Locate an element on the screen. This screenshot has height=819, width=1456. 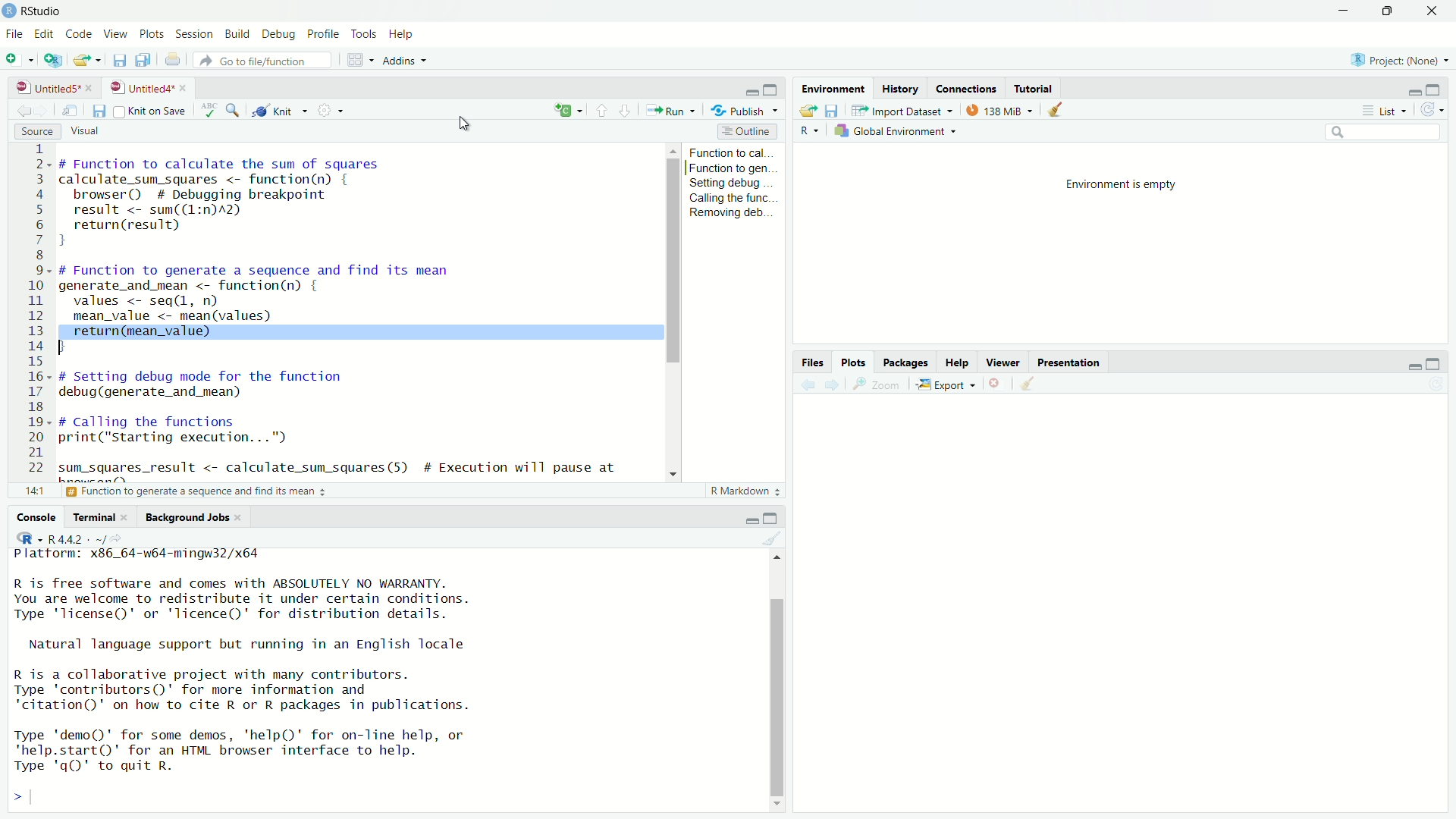
setting debug... is located at coordinates (733, 183).